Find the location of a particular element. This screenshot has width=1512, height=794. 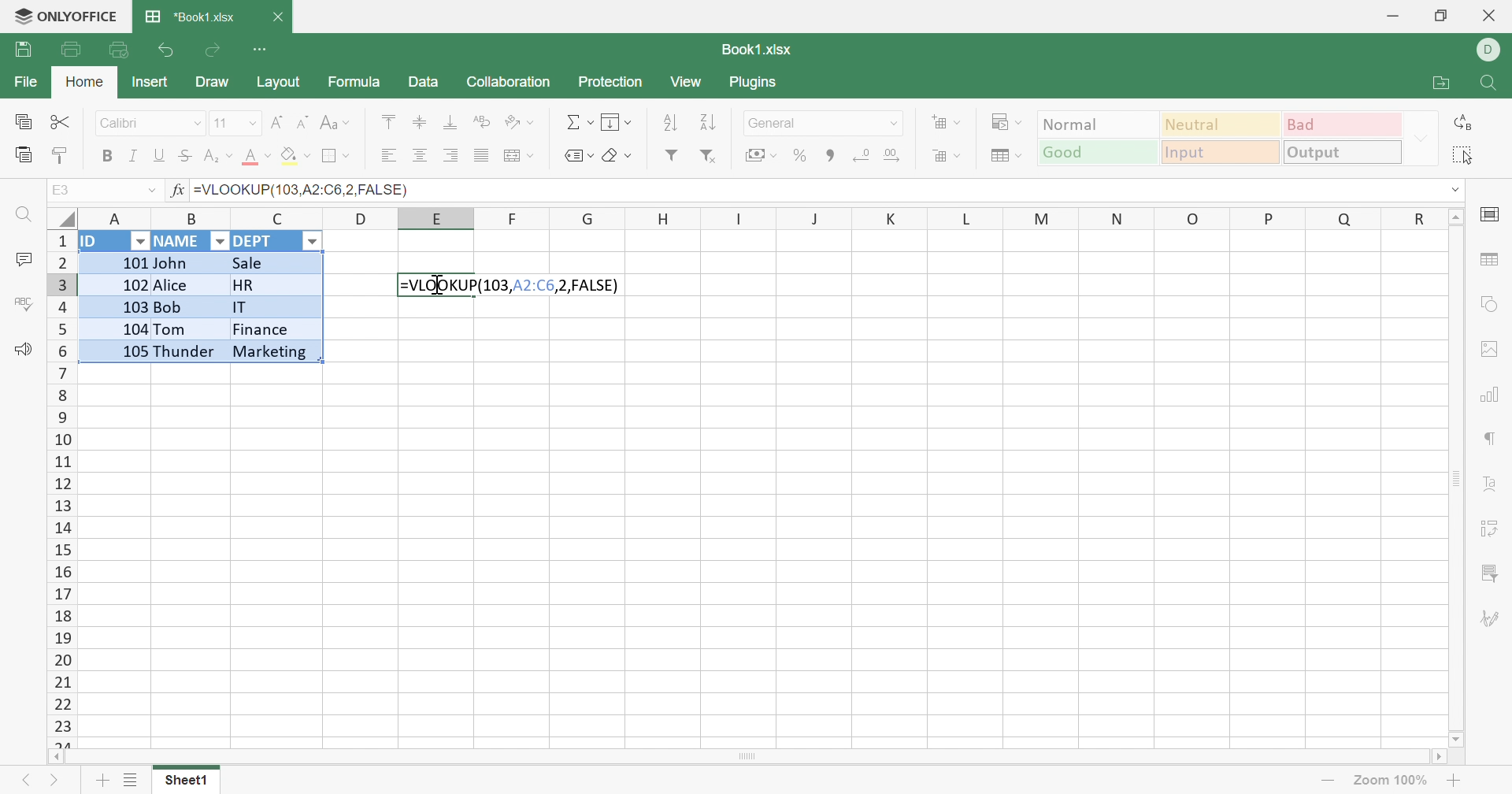

Formula is located at coordinates (356, 82).